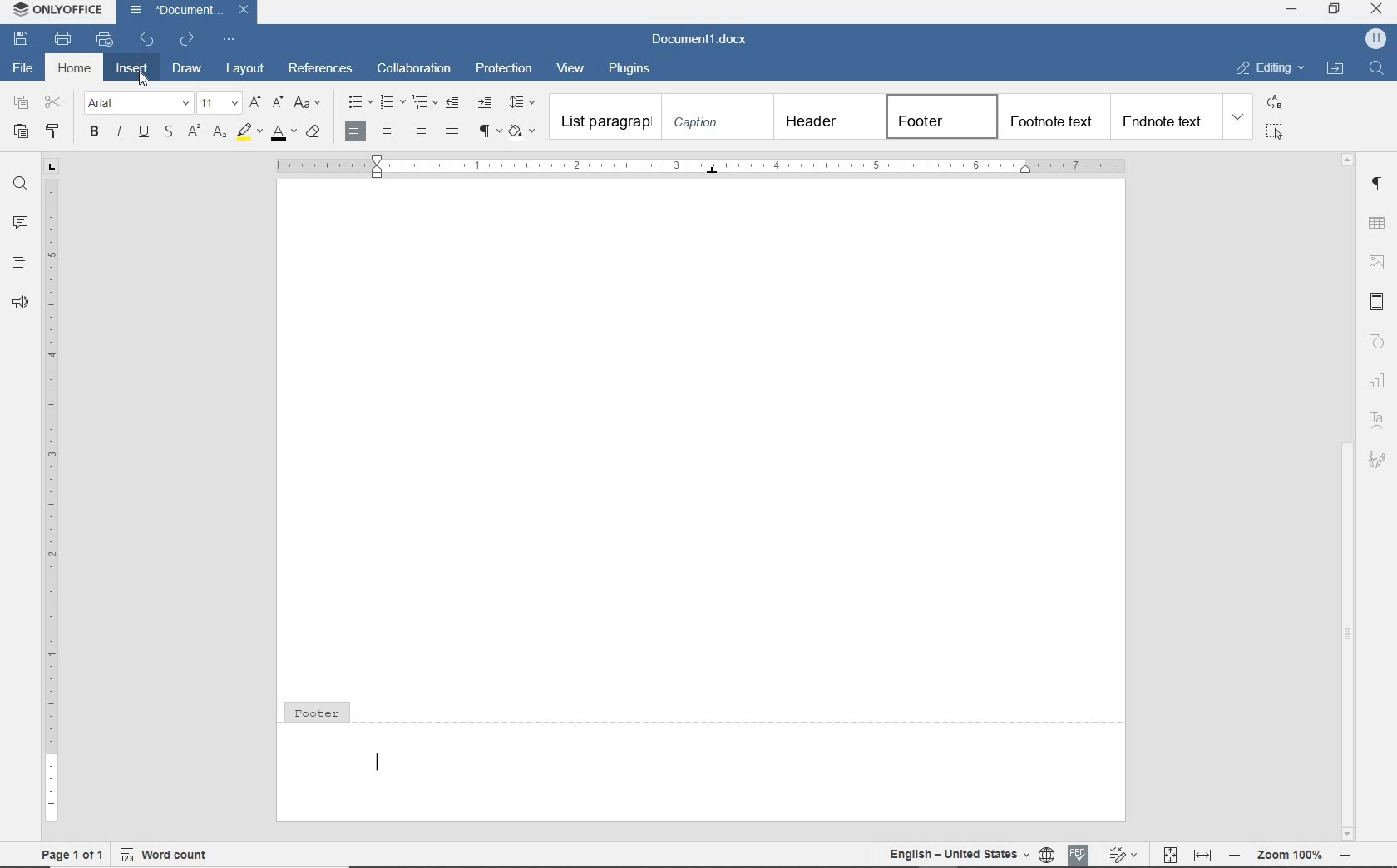  Describe the element at coordinates (953, 851) in the screenshot. I see `English - United States` at that location.